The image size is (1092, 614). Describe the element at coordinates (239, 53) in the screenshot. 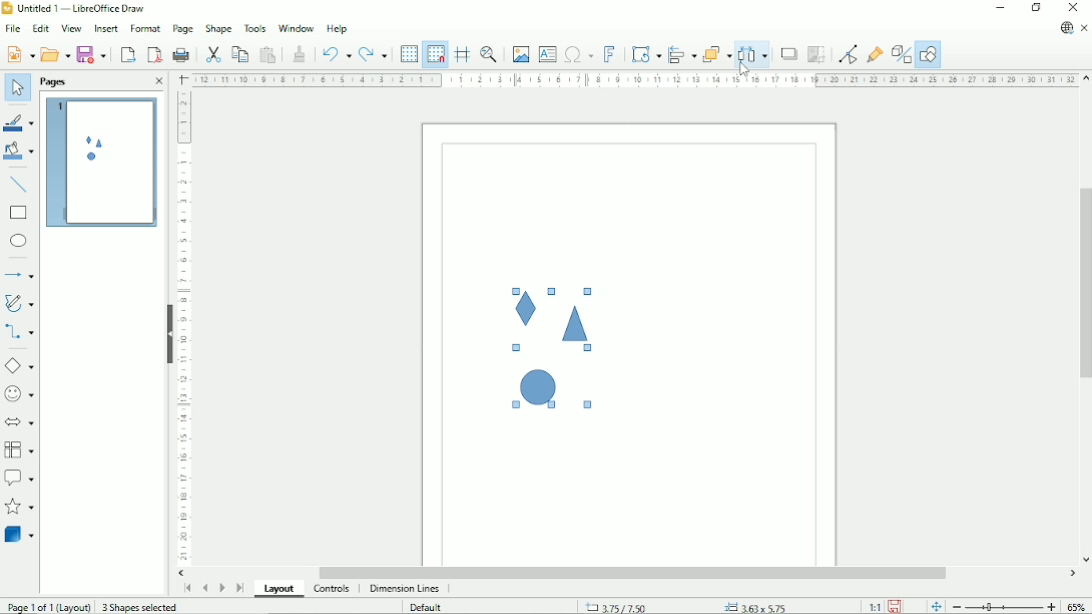

I see `Copy` at that location.